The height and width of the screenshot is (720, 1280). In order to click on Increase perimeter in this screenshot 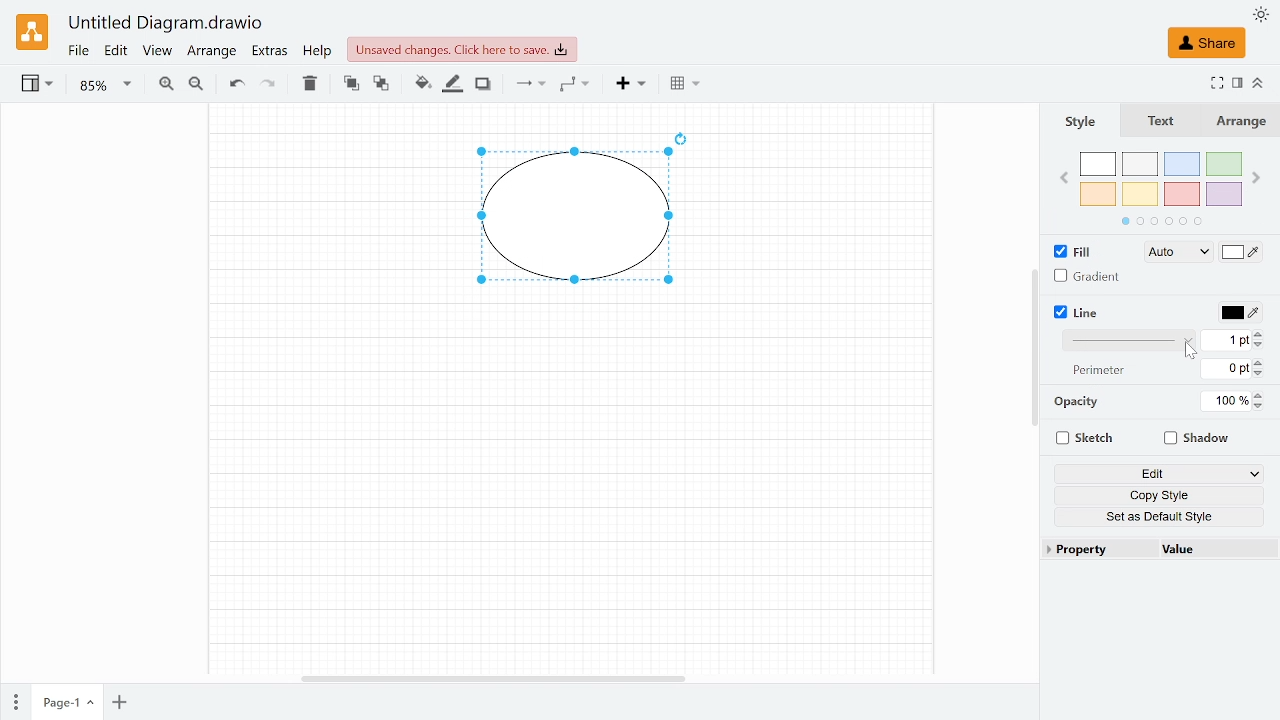, I will do `click(1261, 362)`.